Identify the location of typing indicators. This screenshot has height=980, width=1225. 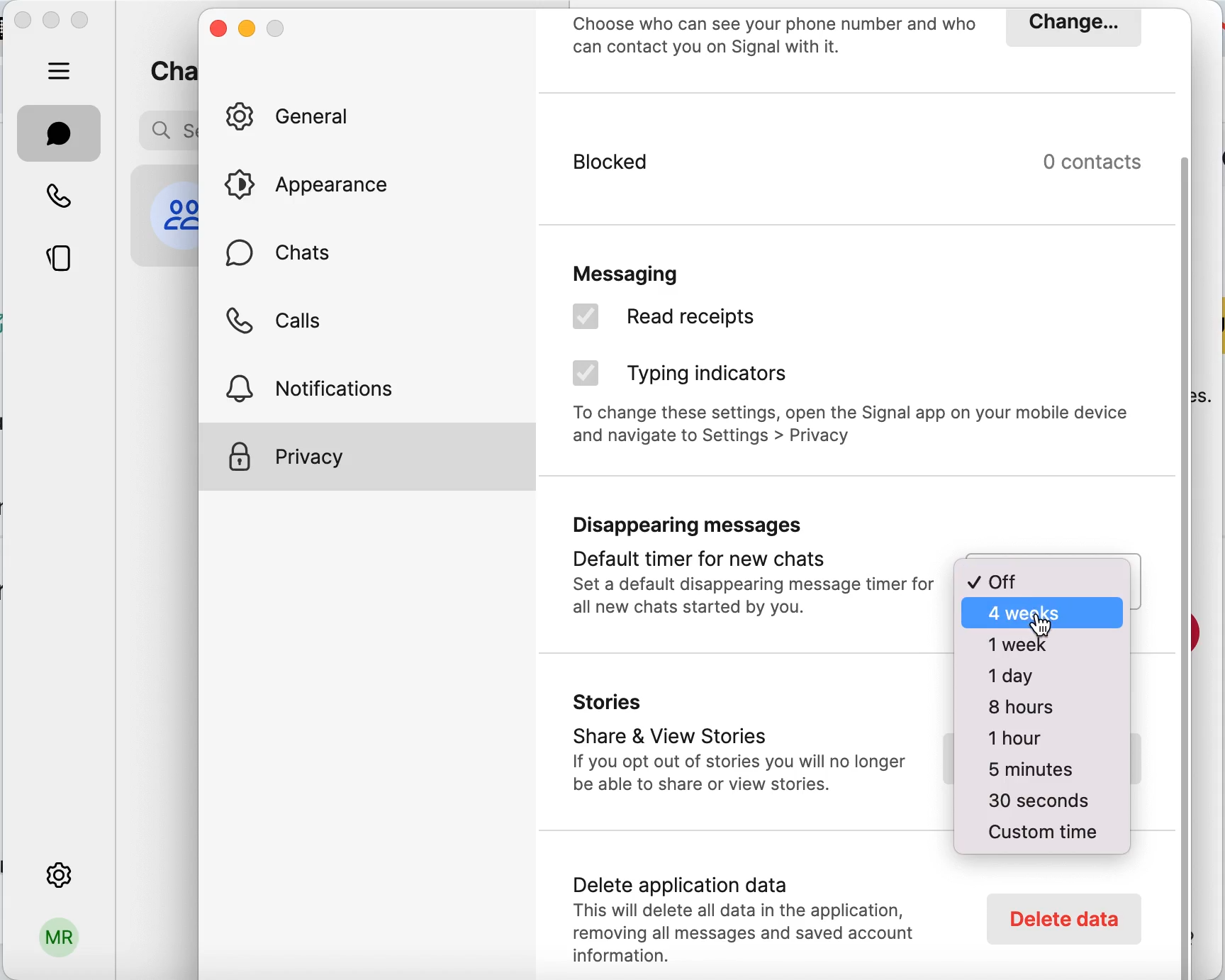
(689, 376).